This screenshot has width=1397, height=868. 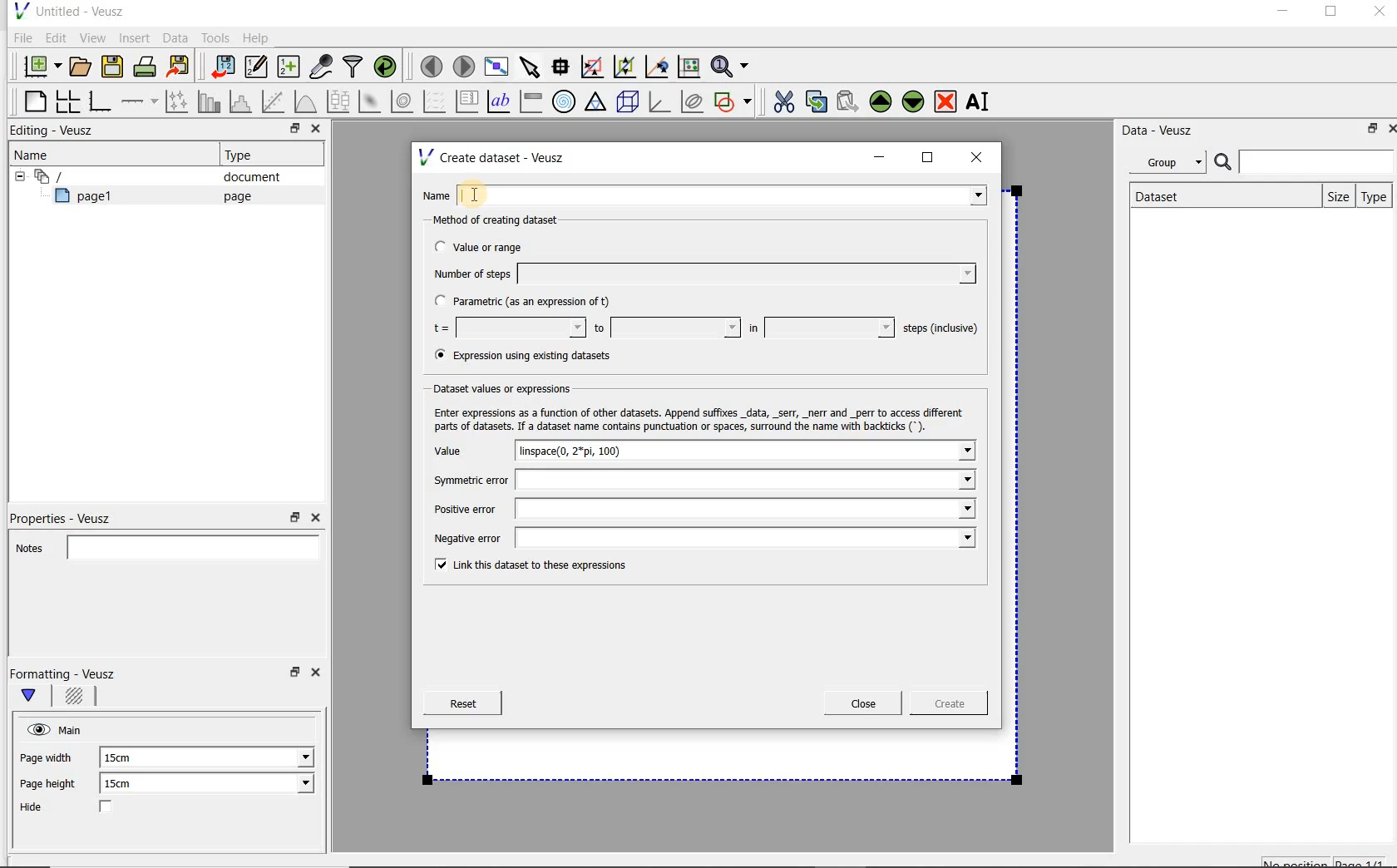 I want to click on remove the selected widget, so click(x=946, y=101).